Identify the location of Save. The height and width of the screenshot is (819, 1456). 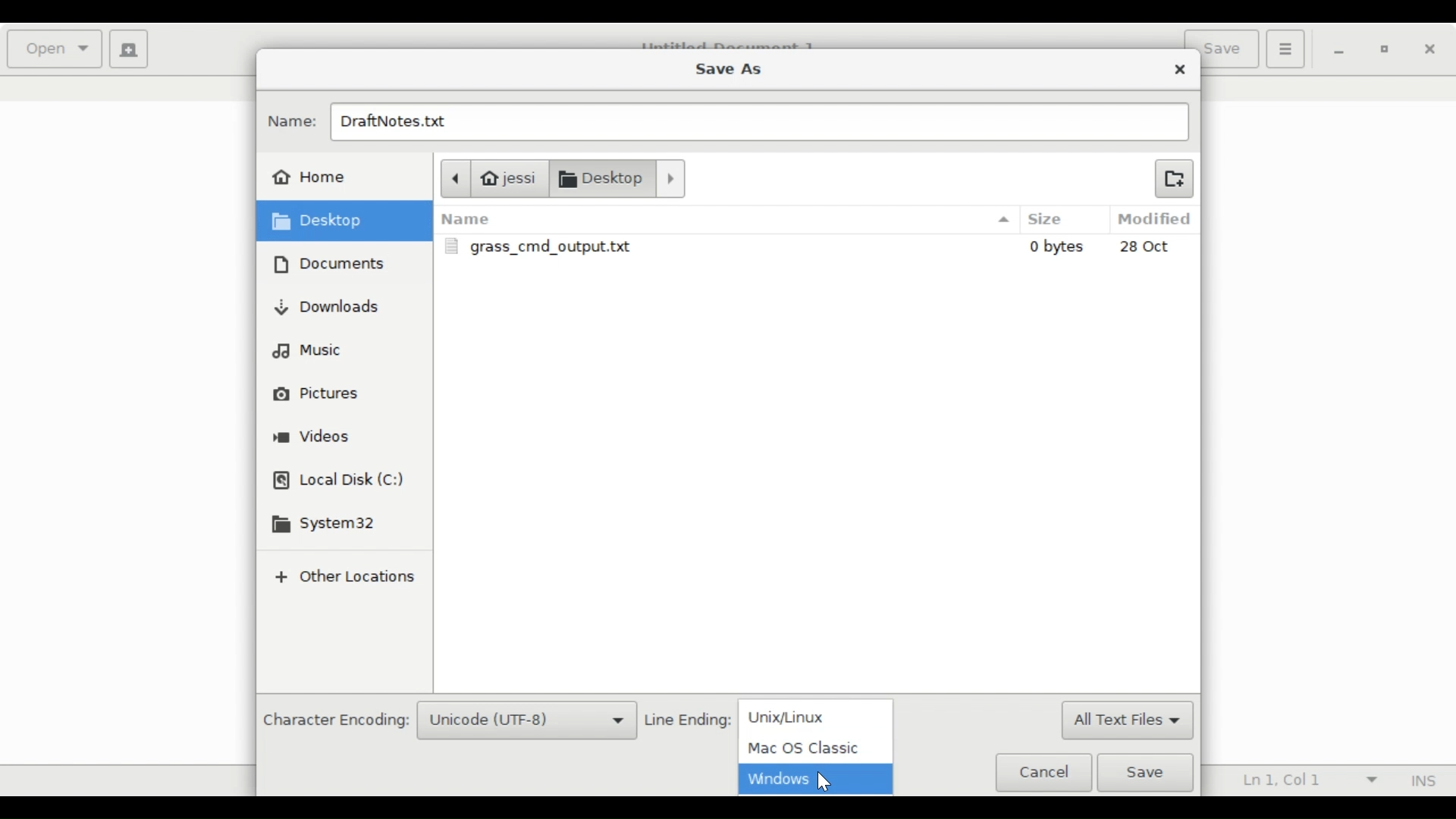
(1150, 773).